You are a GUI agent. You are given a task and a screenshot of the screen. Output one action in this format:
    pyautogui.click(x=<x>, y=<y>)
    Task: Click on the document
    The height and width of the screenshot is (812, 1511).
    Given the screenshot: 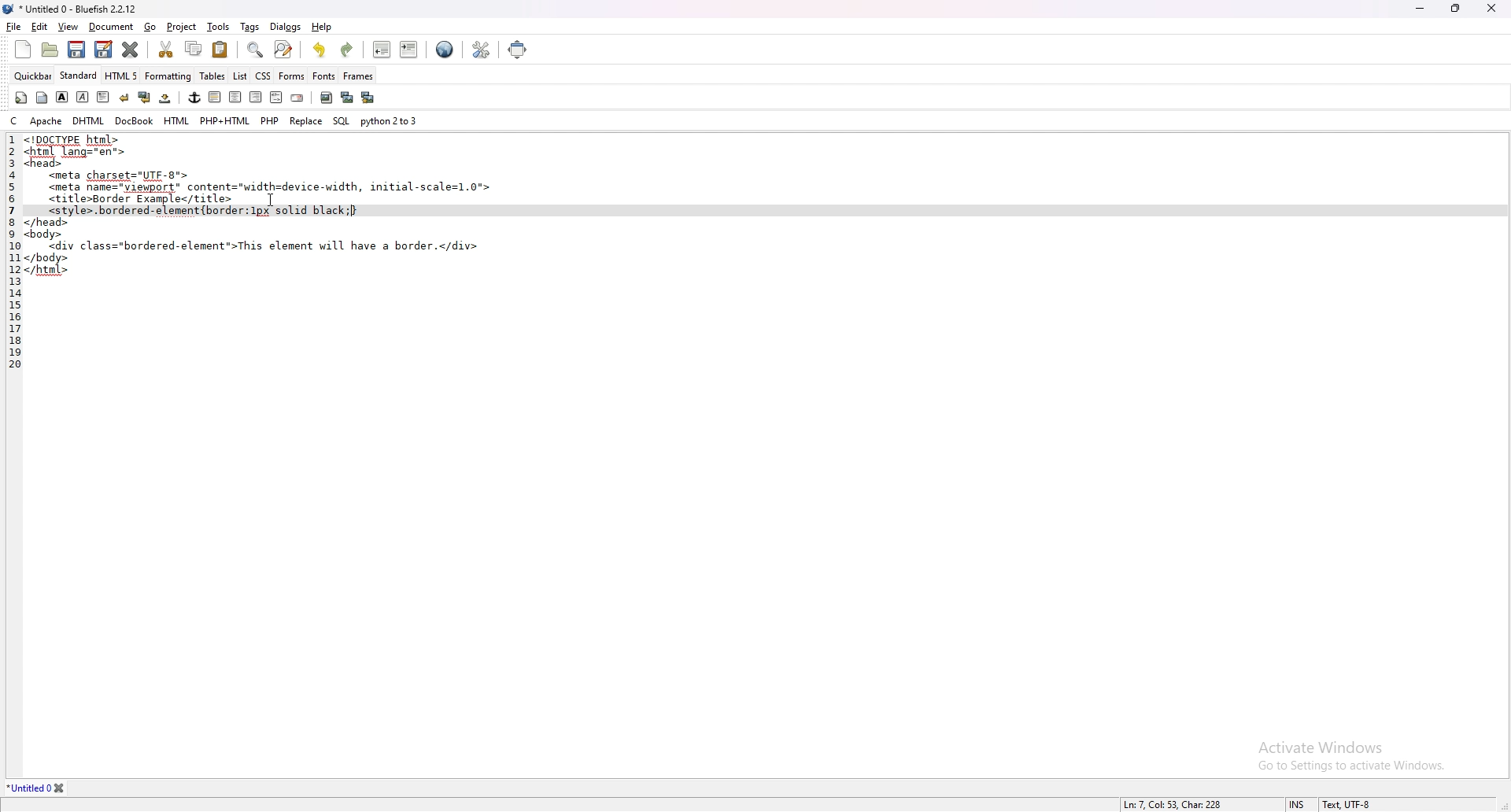 What is the action you would take?
    pyautogui.click(x=111, y=28)
    